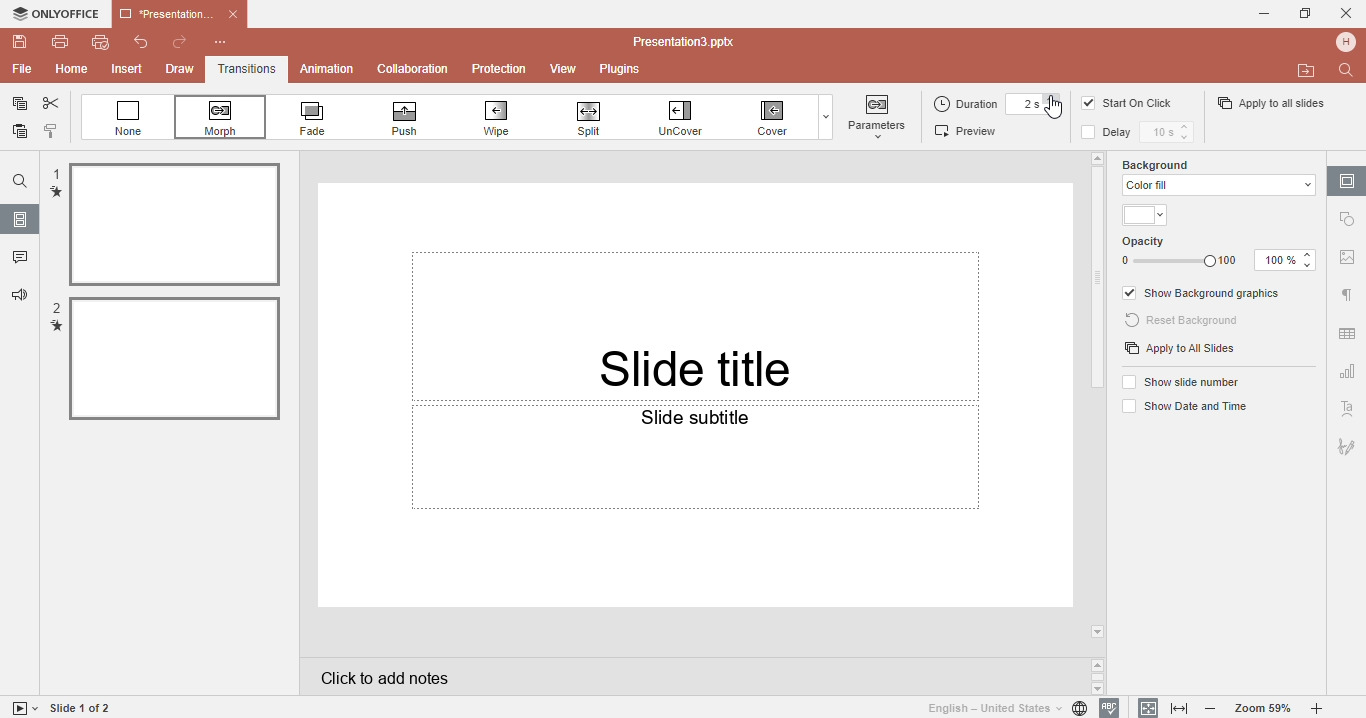 Image resolution: width=1366 pixels, height=718 pixels. Describe the element at coordinates (225, 118) in the screenshot. I see `Morph` at that location.